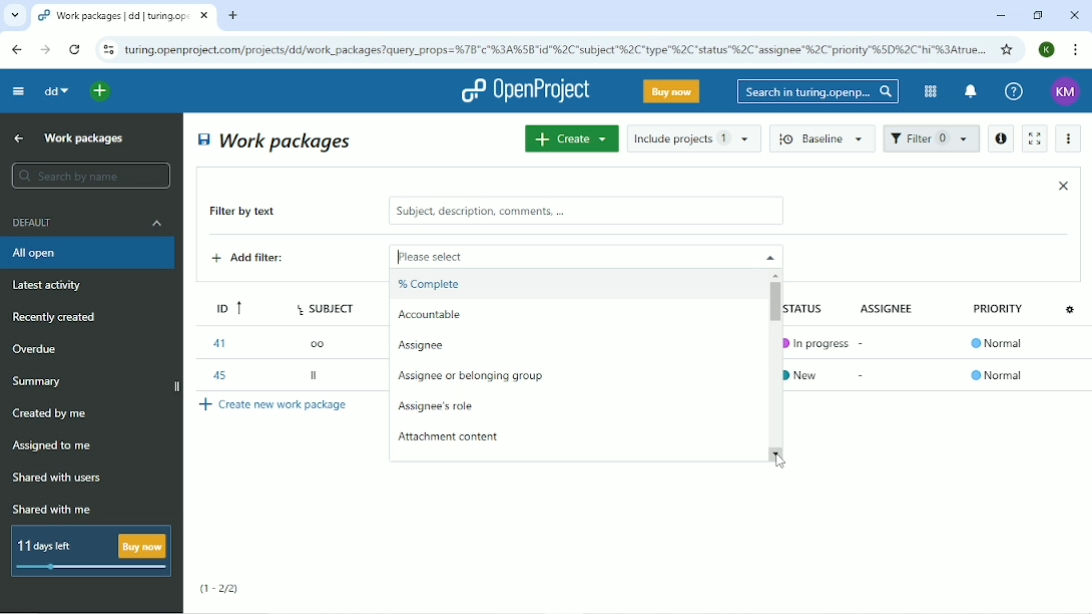 The width and height of the screenshot is (1092, 614). What do you see at coordinates (328, 305) in the screenshot?
I see `Subject` at bounding box center [328, 305].